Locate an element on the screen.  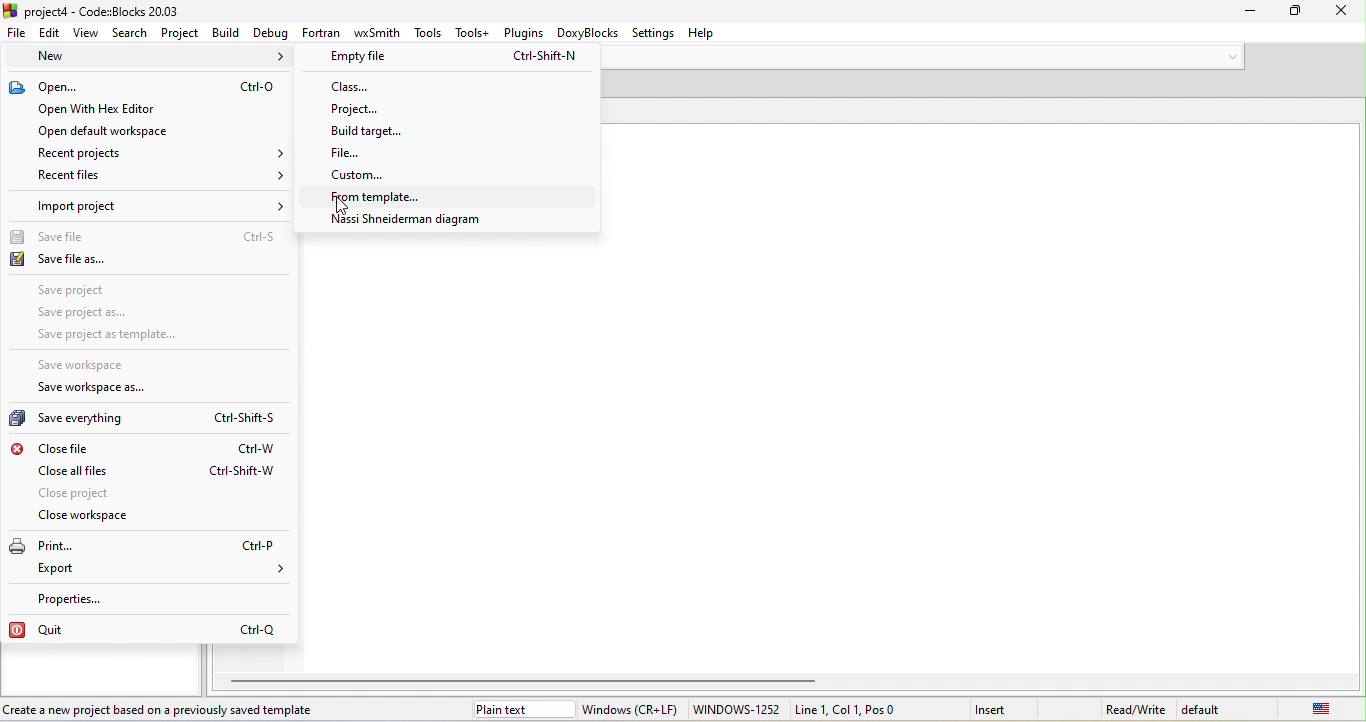
wxsmith is located at coordinates (378, 34).